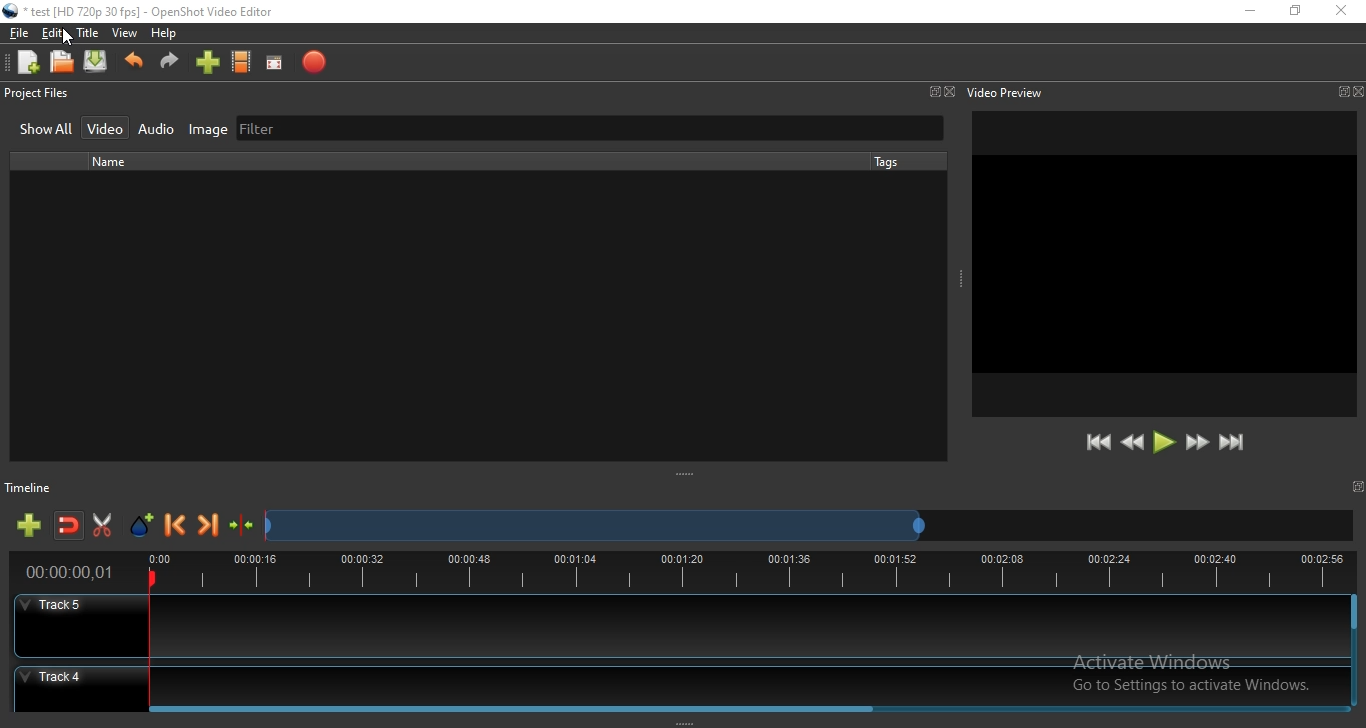 The height and width of the screenshot is (728, 1366). Describe the element at coordinates (1165, 265) in the screenshot. I see `Preview` at that location.